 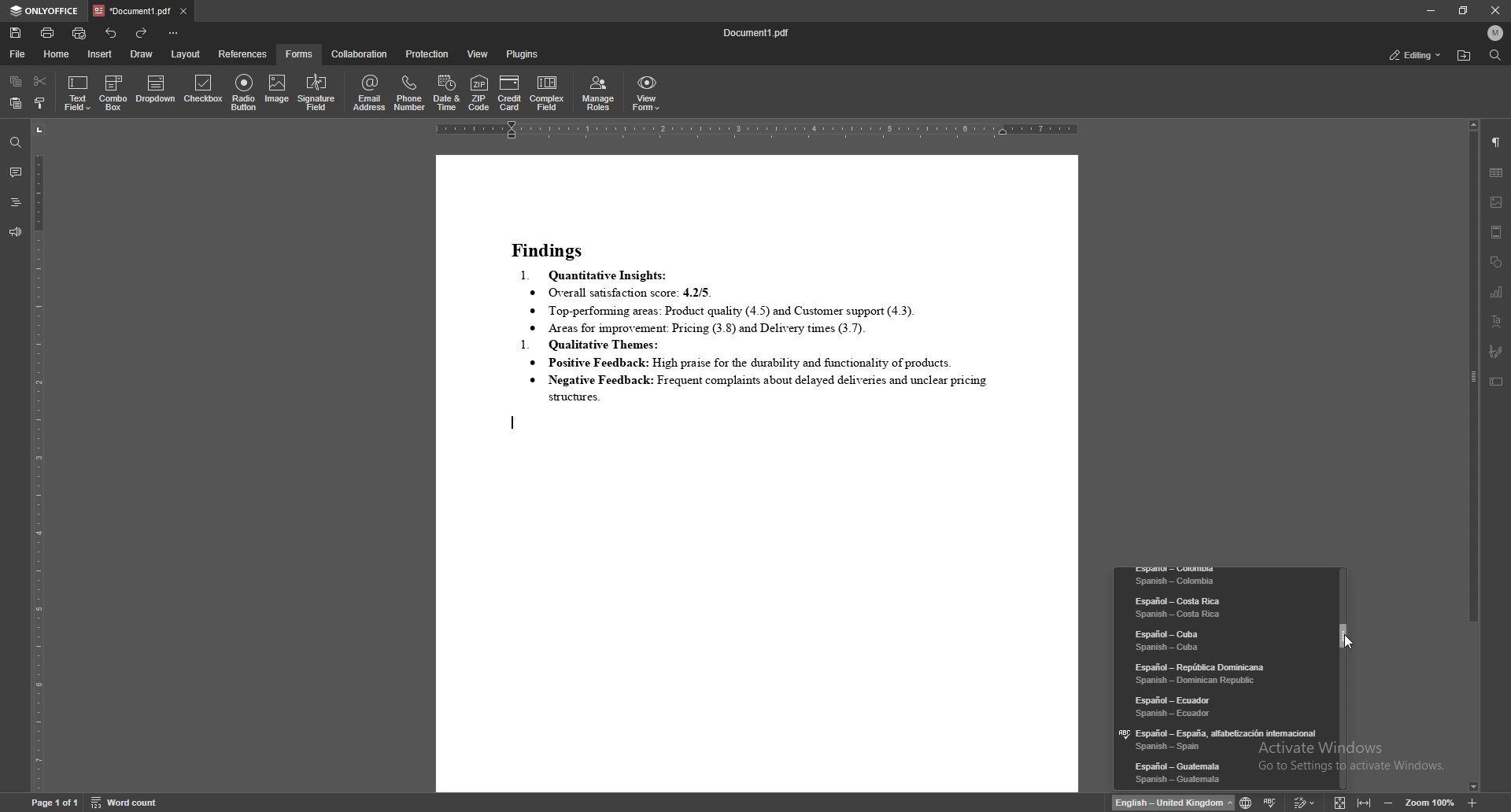 What do you see at coordinates (277, 94) in the screenshot?
I see `image` at bounding box center [277, 94].